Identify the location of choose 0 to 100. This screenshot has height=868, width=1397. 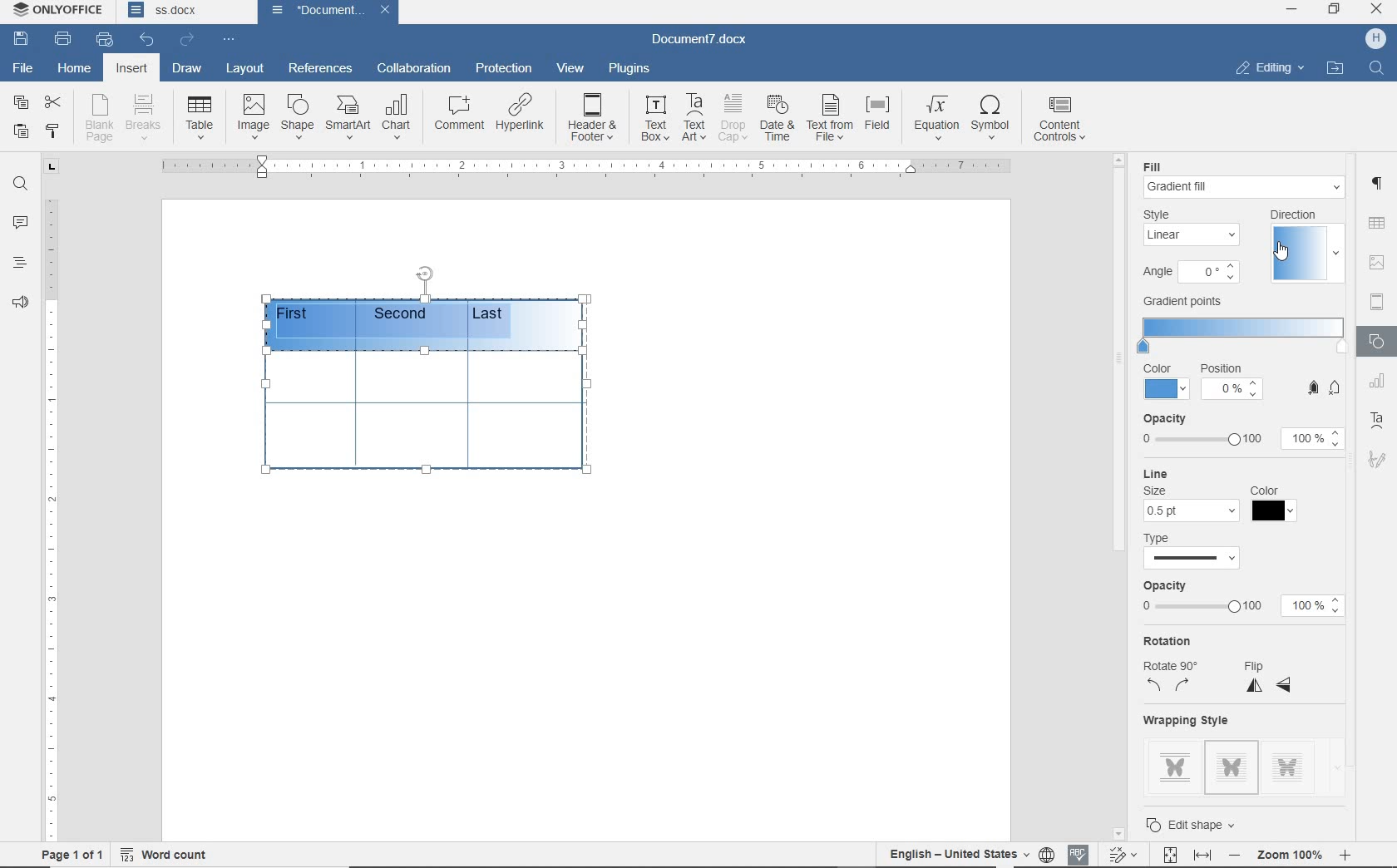
(1205, 437).